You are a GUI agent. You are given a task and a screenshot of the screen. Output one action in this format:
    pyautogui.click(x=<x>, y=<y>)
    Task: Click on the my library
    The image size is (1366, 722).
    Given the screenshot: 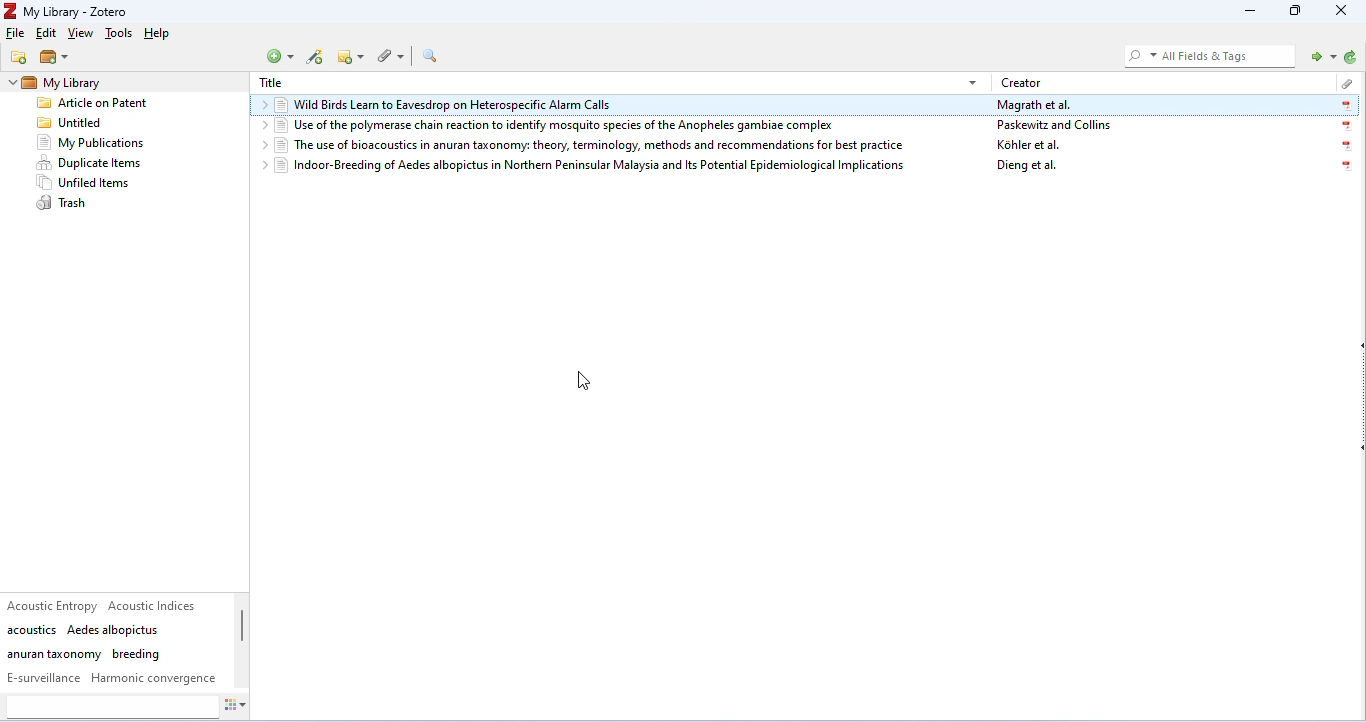 What is the action you would take?
    pyautogui.click(x=86, y=82)
    